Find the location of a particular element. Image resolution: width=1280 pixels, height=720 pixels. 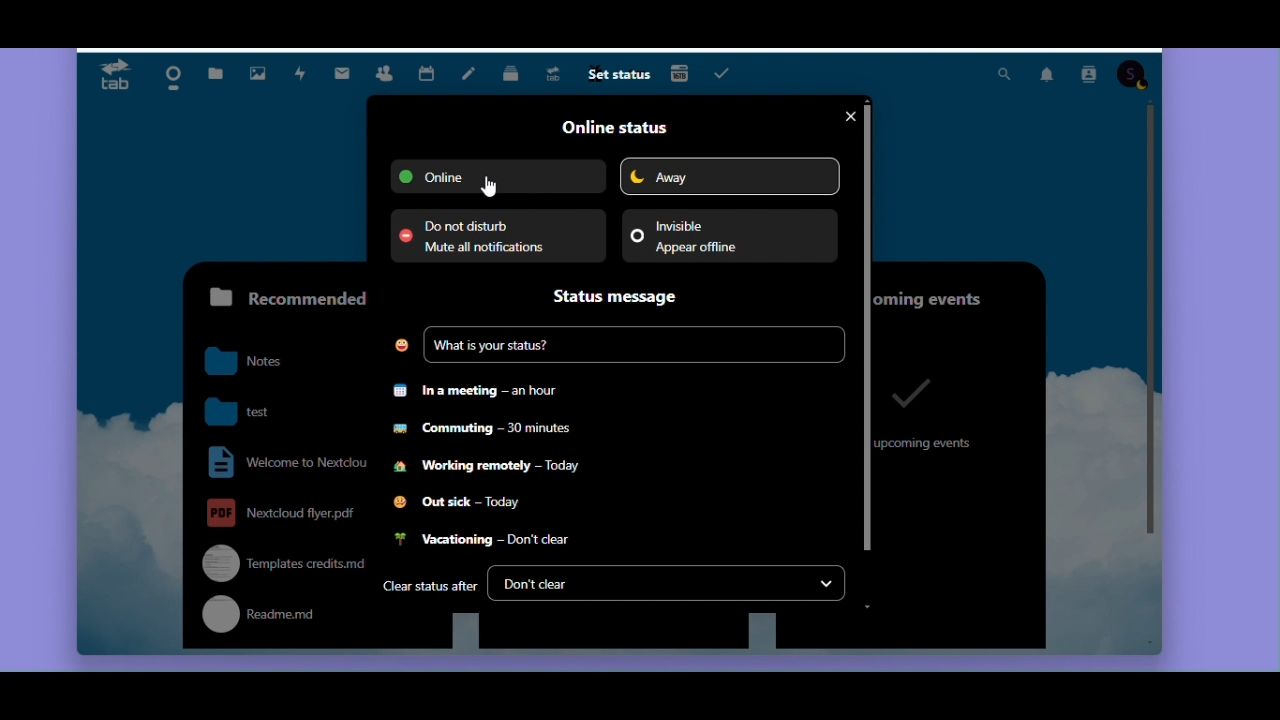

notes is located at coordinates (259, 362).